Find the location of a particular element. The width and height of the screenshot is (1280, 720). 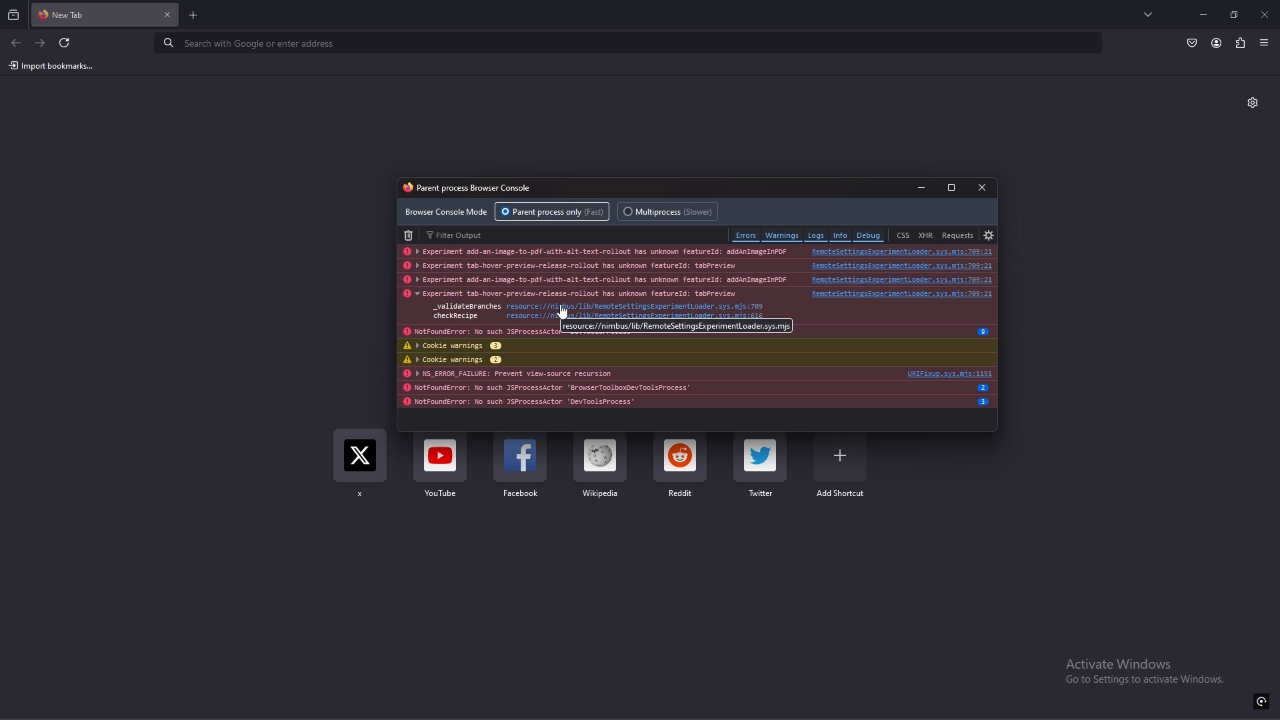

minimize is located at coordinates (923, 188).